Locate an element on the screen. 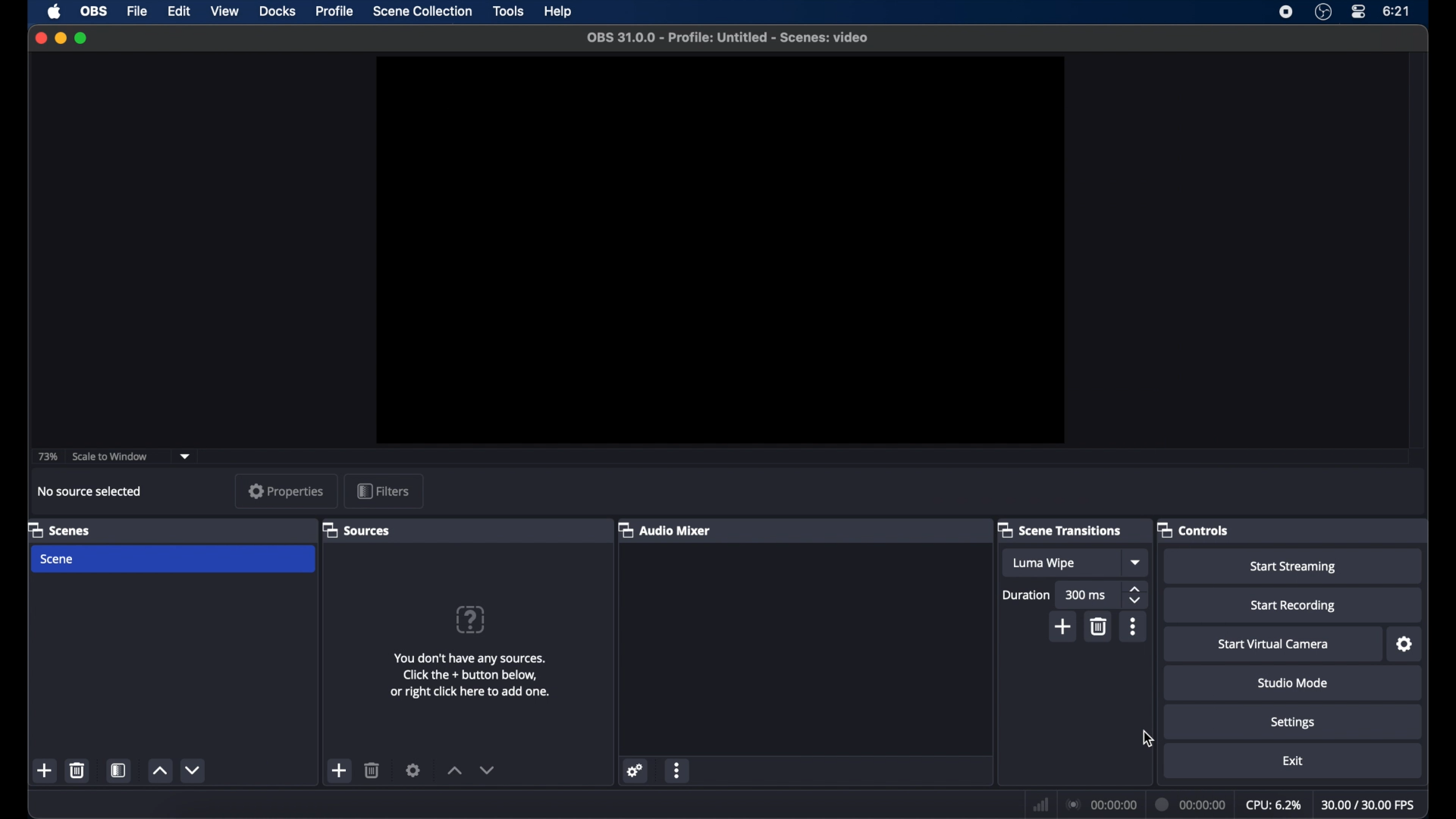 This screenshot has height=819, width=1456. sources is located at coordinates (358, 531).